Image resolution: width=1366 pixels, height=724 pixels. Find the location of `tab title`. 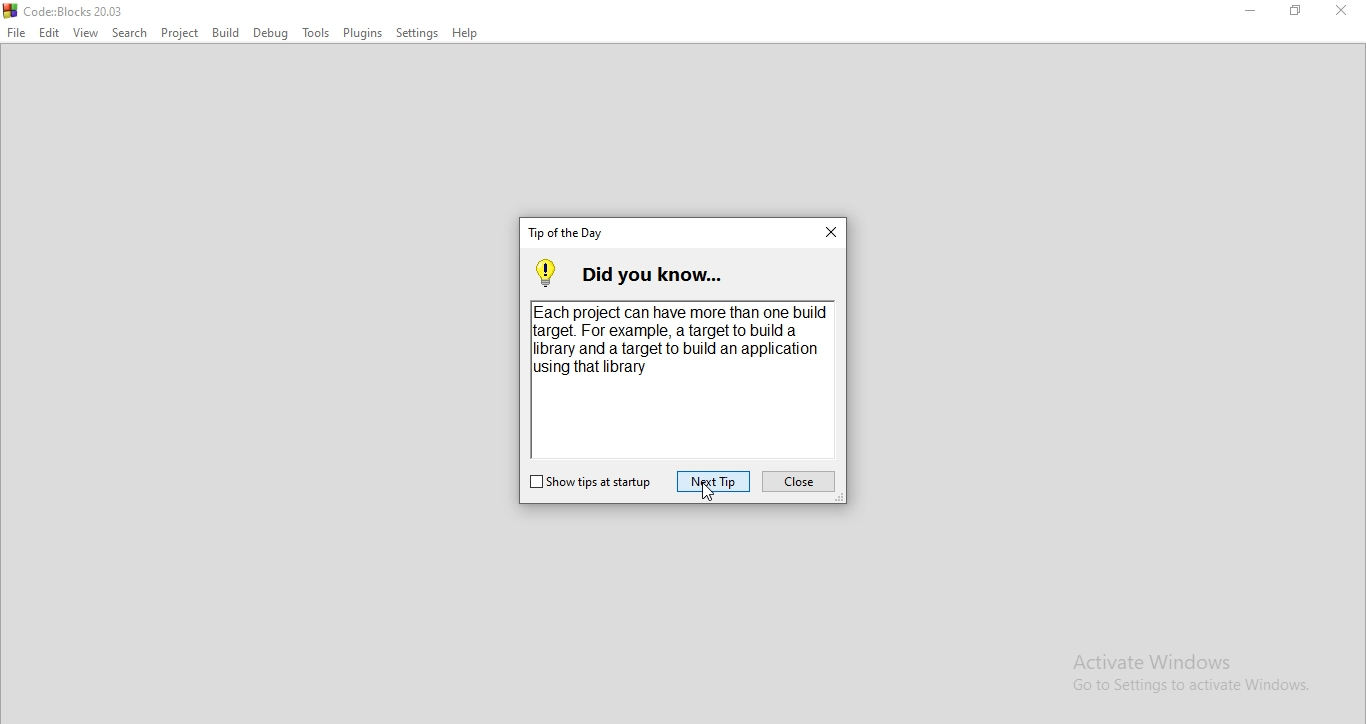

tab title is located at coordinates (569, 234).